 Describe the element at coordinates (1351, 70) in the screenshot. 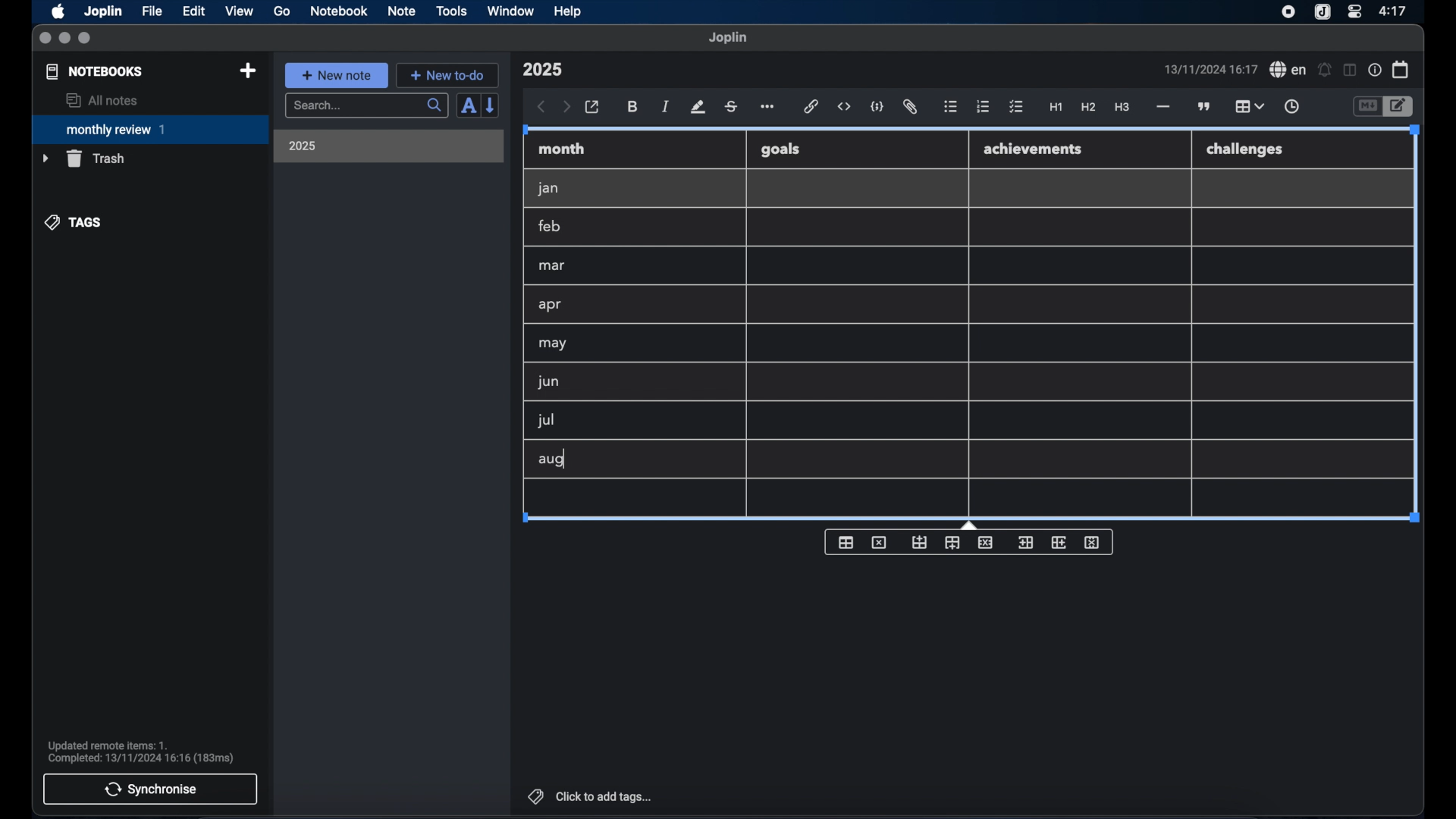

I see `toggle editor layout` at that location.